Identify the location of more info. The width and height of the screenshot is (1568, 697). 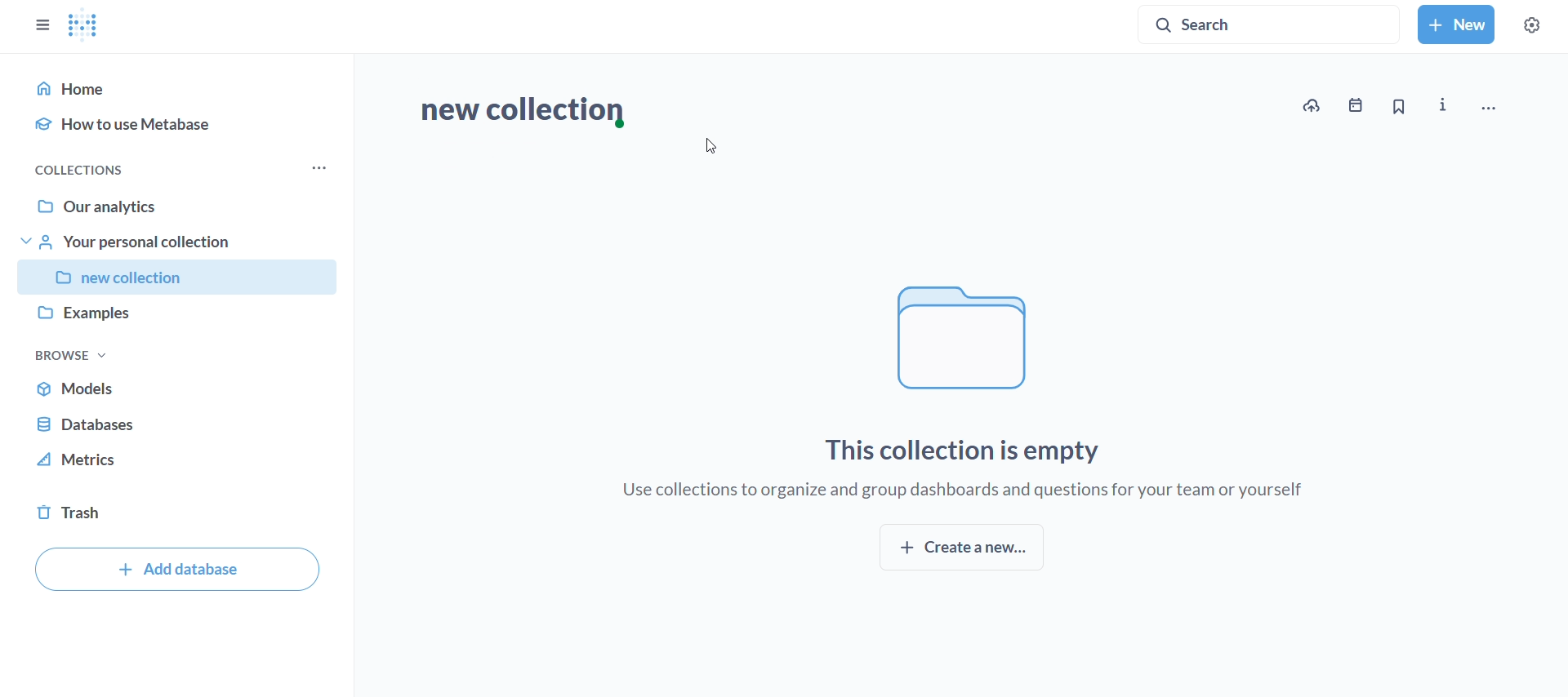
(1446, 105).